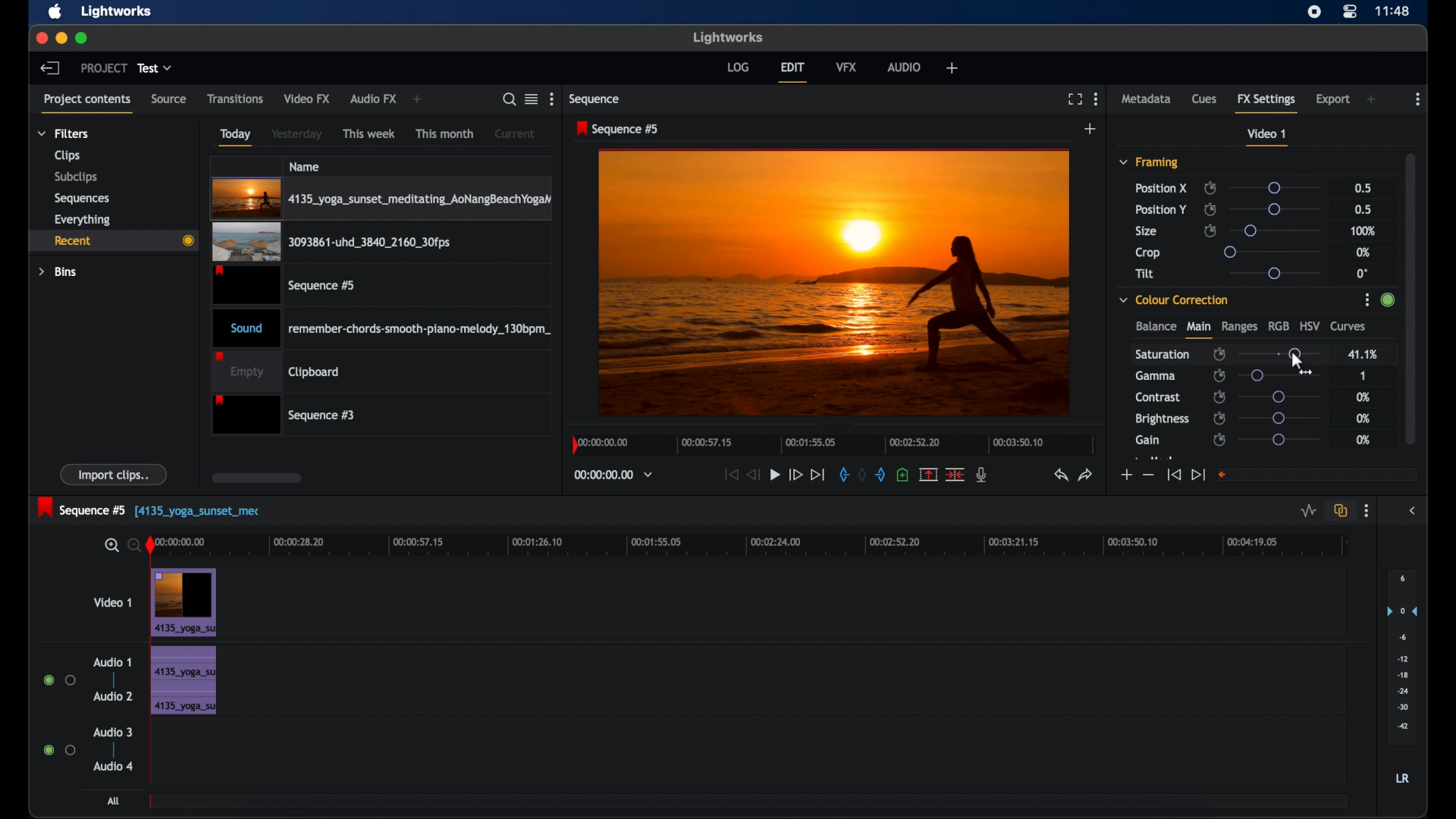 The height and width of the screenshot is (819, 1456). I want to click on video 1, so click(1268, 137).